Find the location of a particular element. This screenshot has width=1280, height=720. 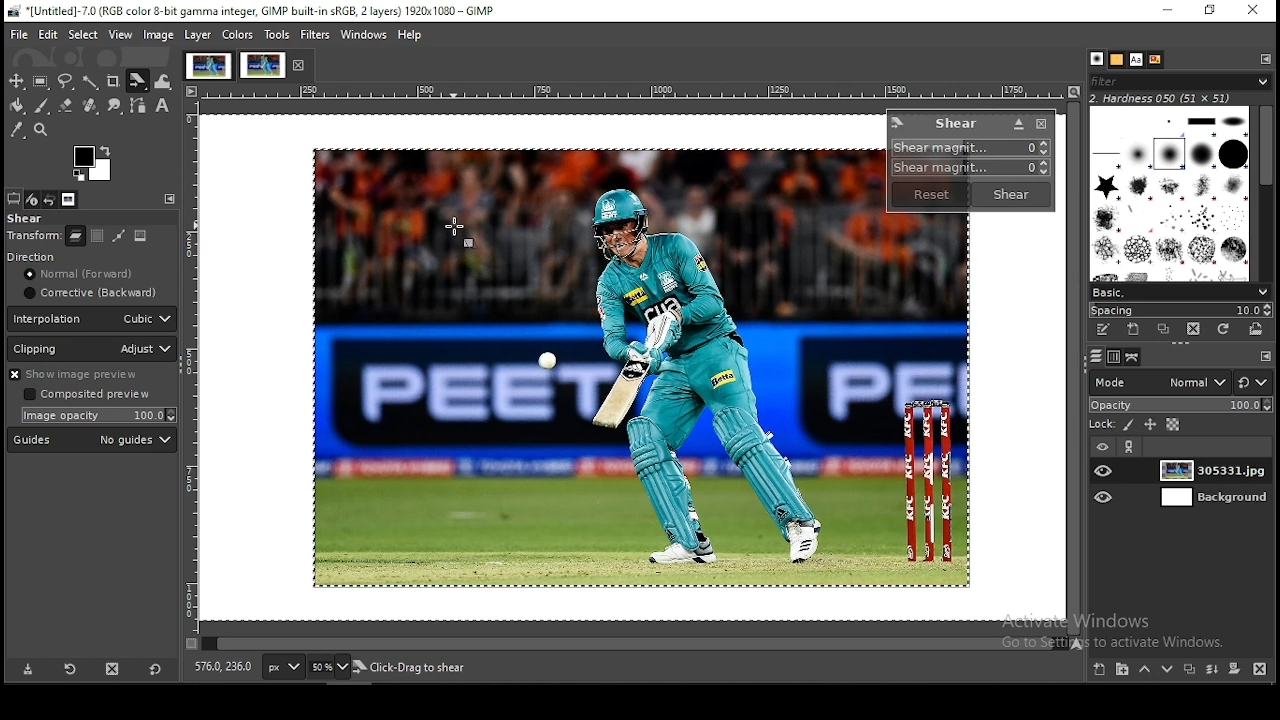

guide is located at coordinates (91, 440).